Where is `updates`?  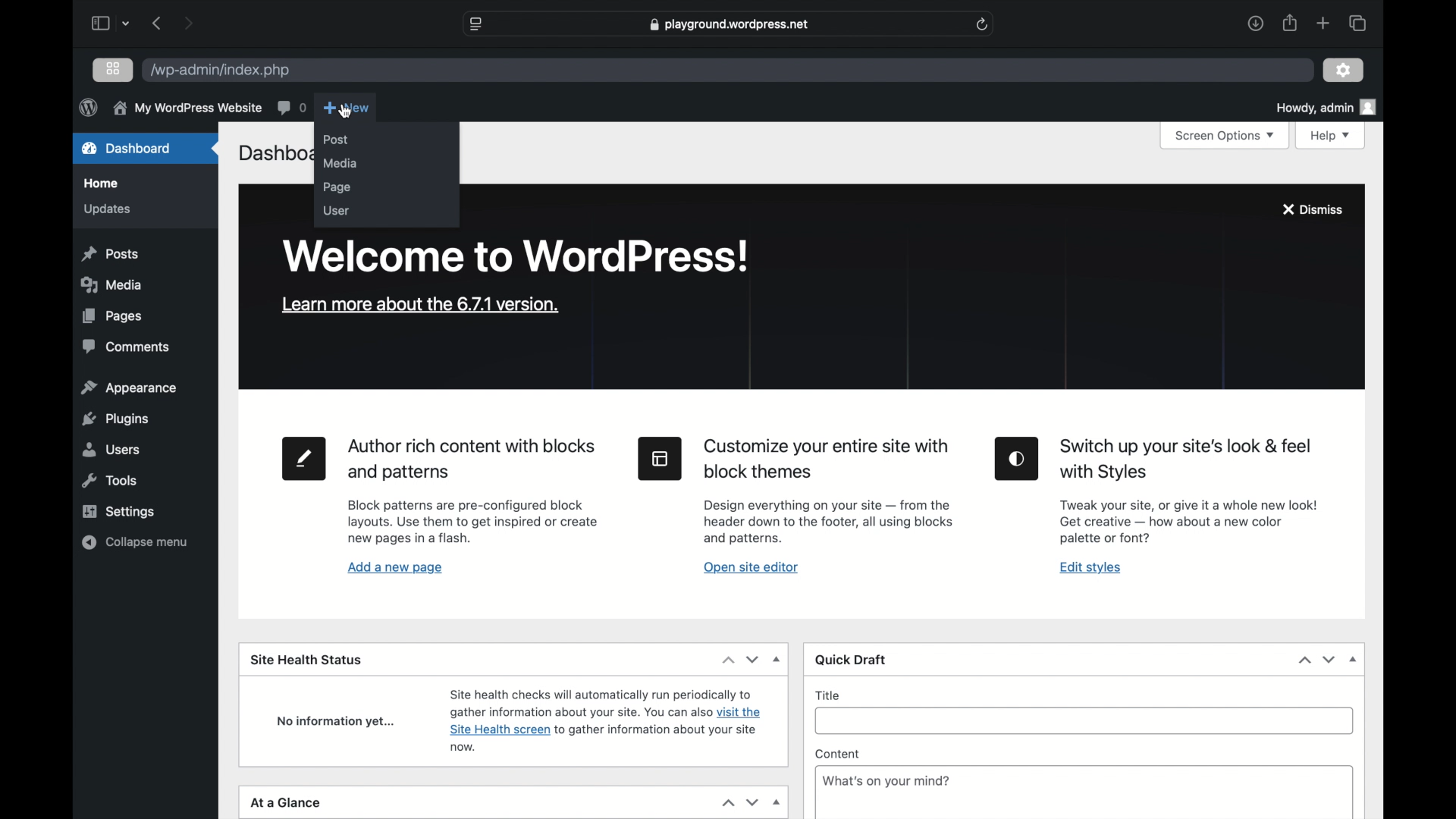 updates is located at coordinates (105, 208).